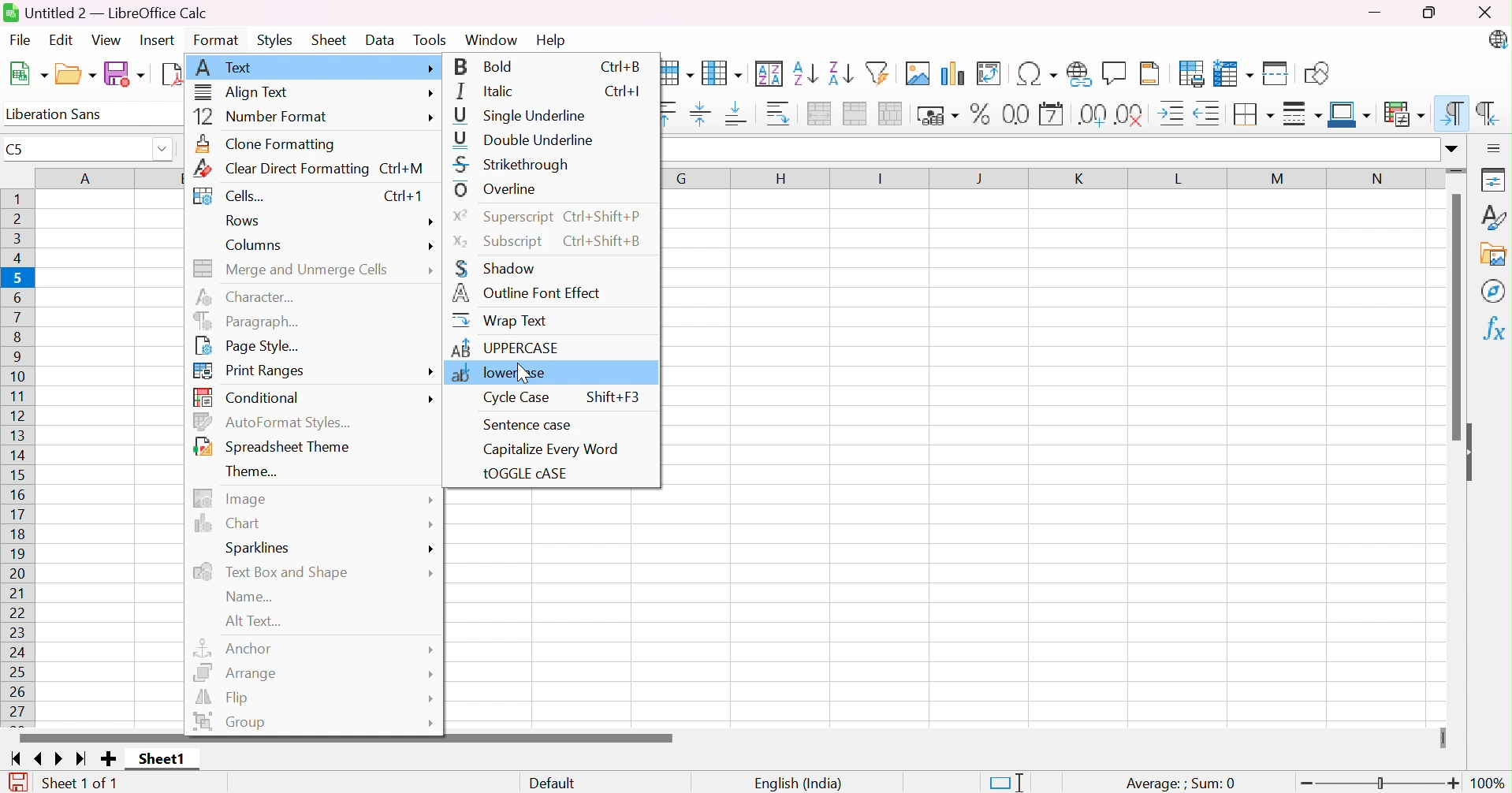  Describe the element at coordinates (236, 647) in the screenshot. I see `Anchor` at that location.